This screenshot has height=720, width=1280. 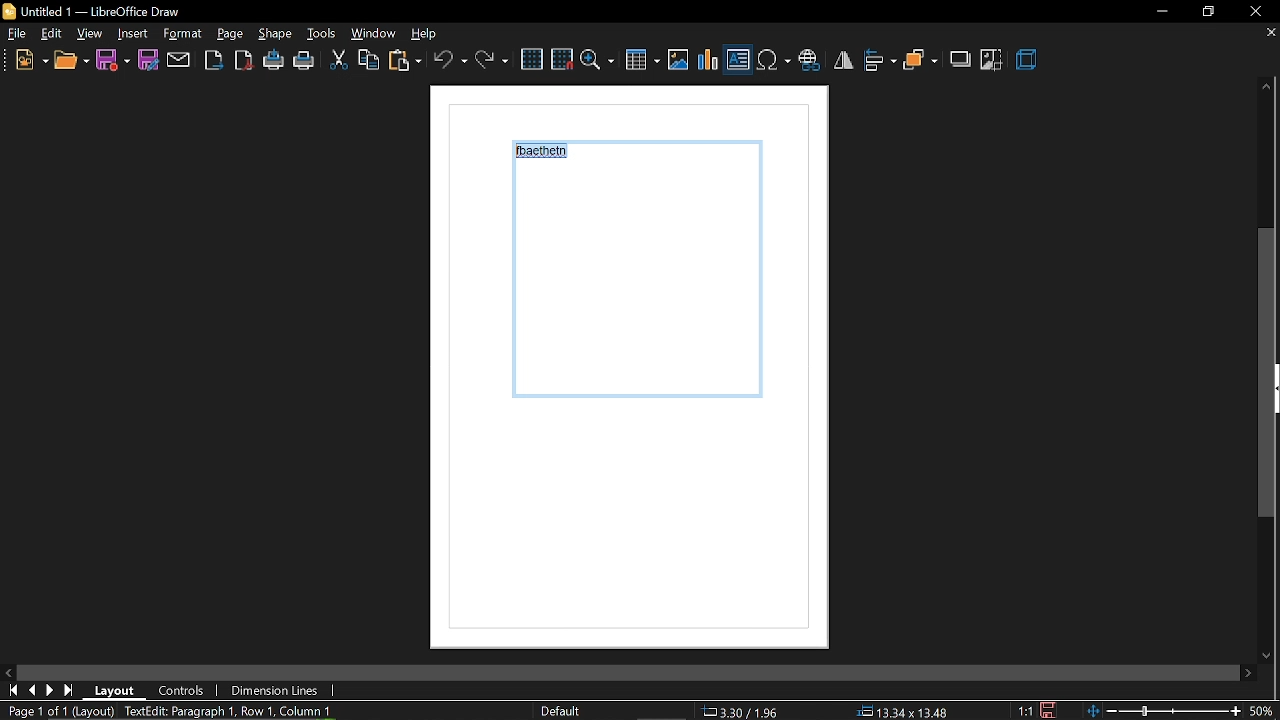 What do you see at coordinates (368, 61) in the screenshot?
I see `copy` at bounding box center [368, 61].